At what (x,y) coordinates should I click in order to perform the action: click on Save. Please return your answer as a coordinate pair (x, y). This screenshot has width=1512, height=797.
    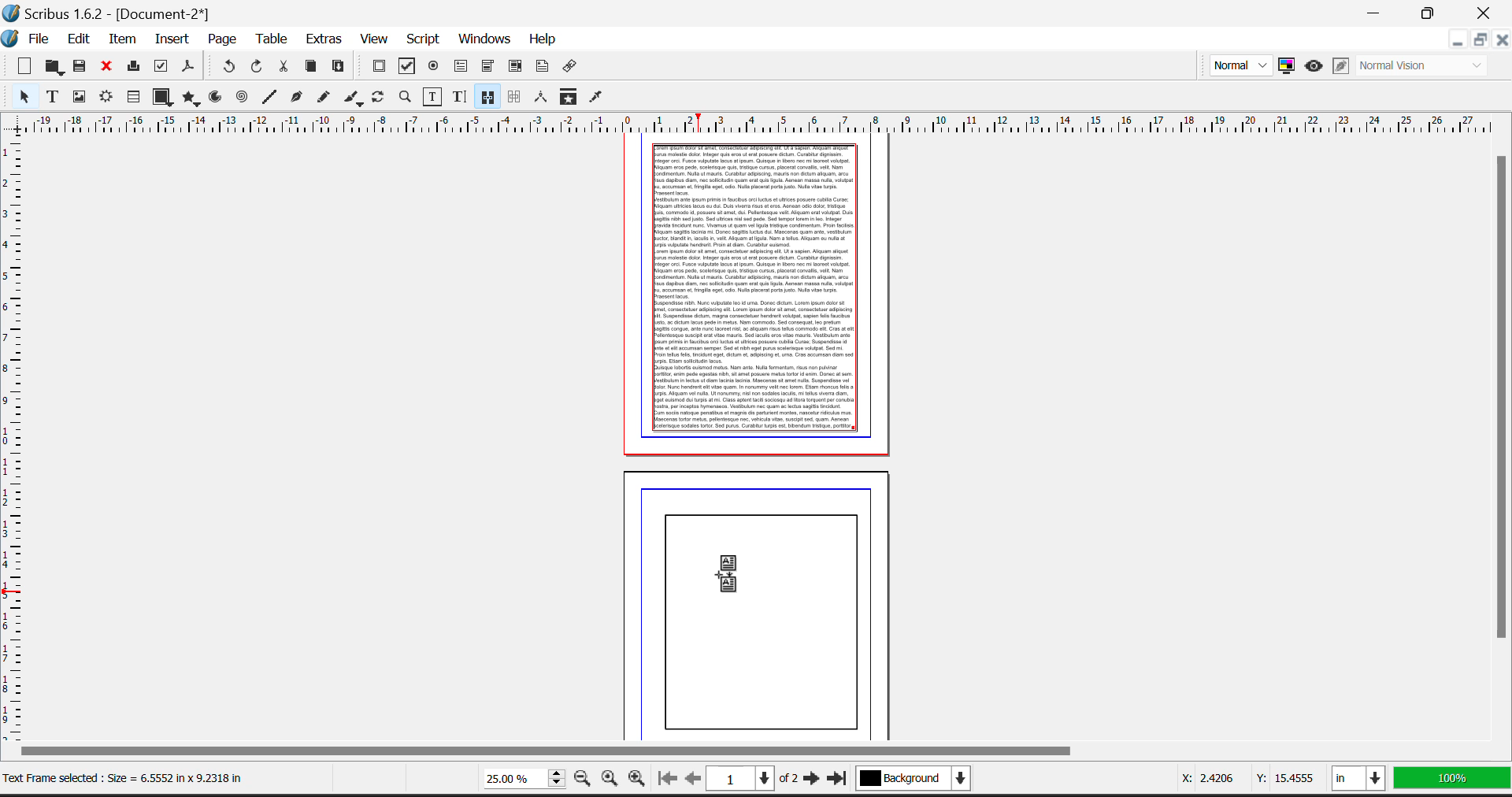
    Looking at the image, I should click on (81, 68).